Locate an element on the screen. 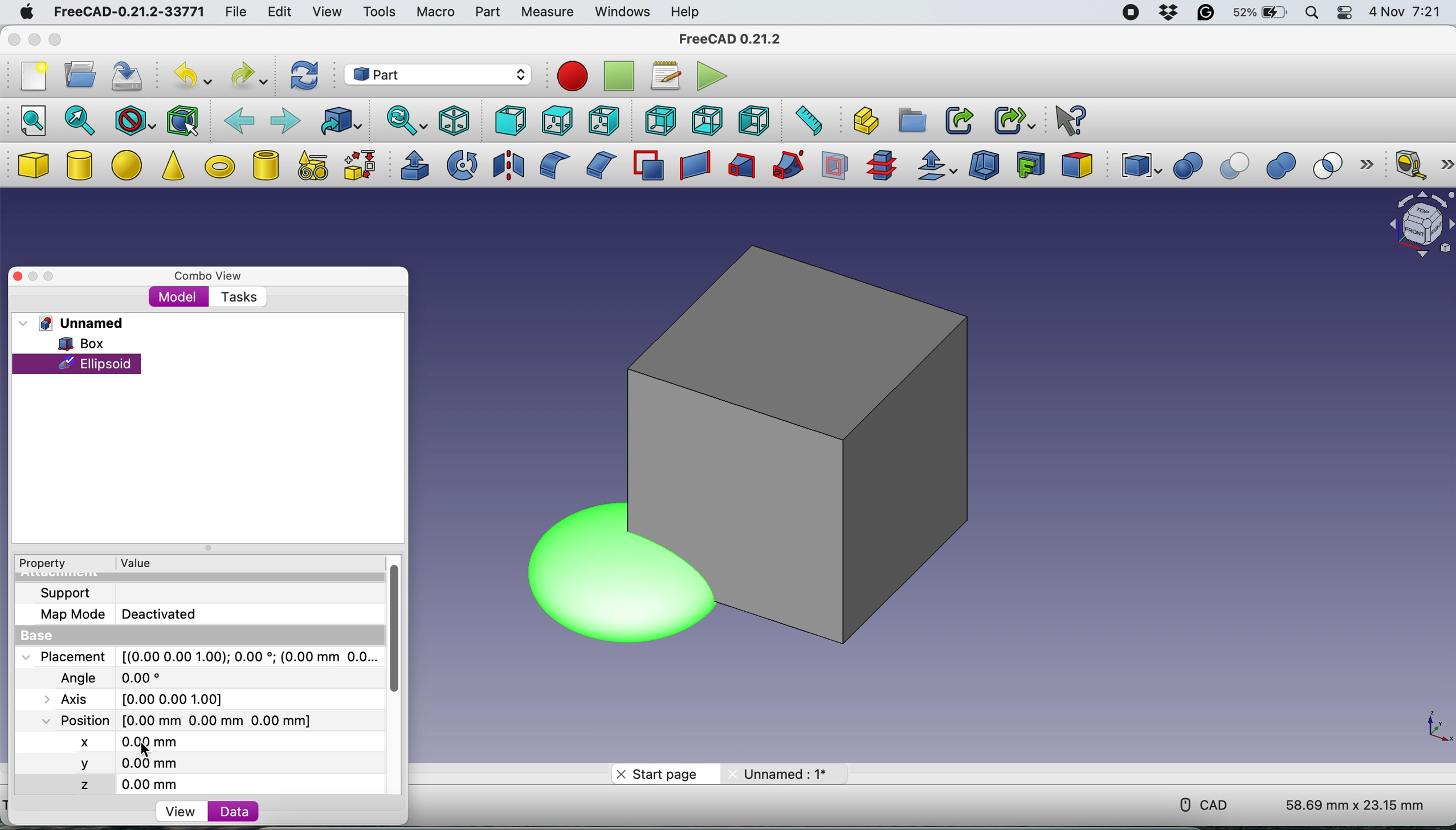 This screenshot has height=830, width=1456. Unnamed: 1* is located at coordinates (776, 773).